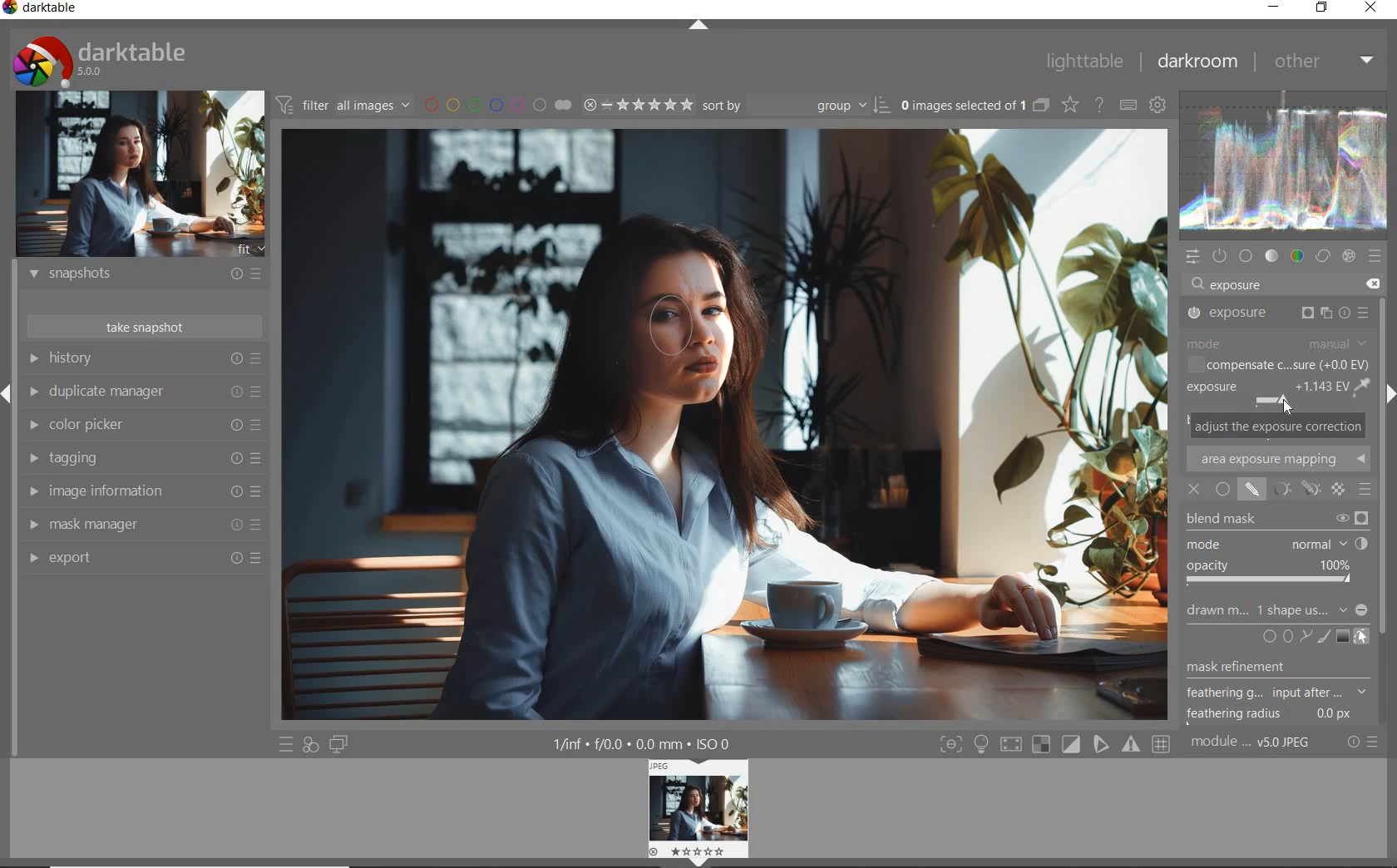 The image size is (1397, 868). Describe the element at coordinates (1278, 638) in the screenshot. I see `ADD CIRCLE OR ELLIPSE` at that location.